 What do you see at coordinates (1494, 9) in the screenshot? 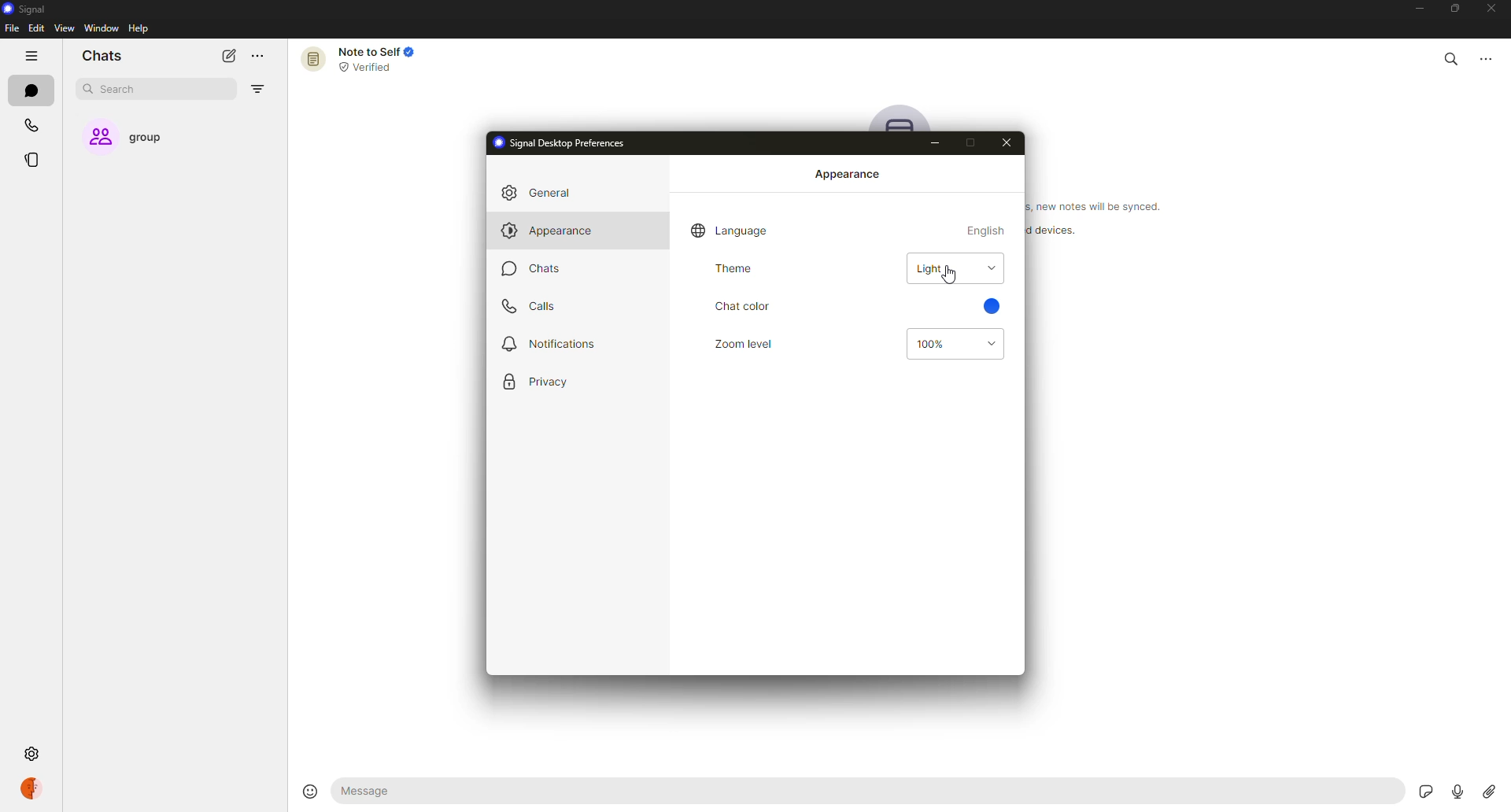
I see `close` at bounding box center [1494, 9].